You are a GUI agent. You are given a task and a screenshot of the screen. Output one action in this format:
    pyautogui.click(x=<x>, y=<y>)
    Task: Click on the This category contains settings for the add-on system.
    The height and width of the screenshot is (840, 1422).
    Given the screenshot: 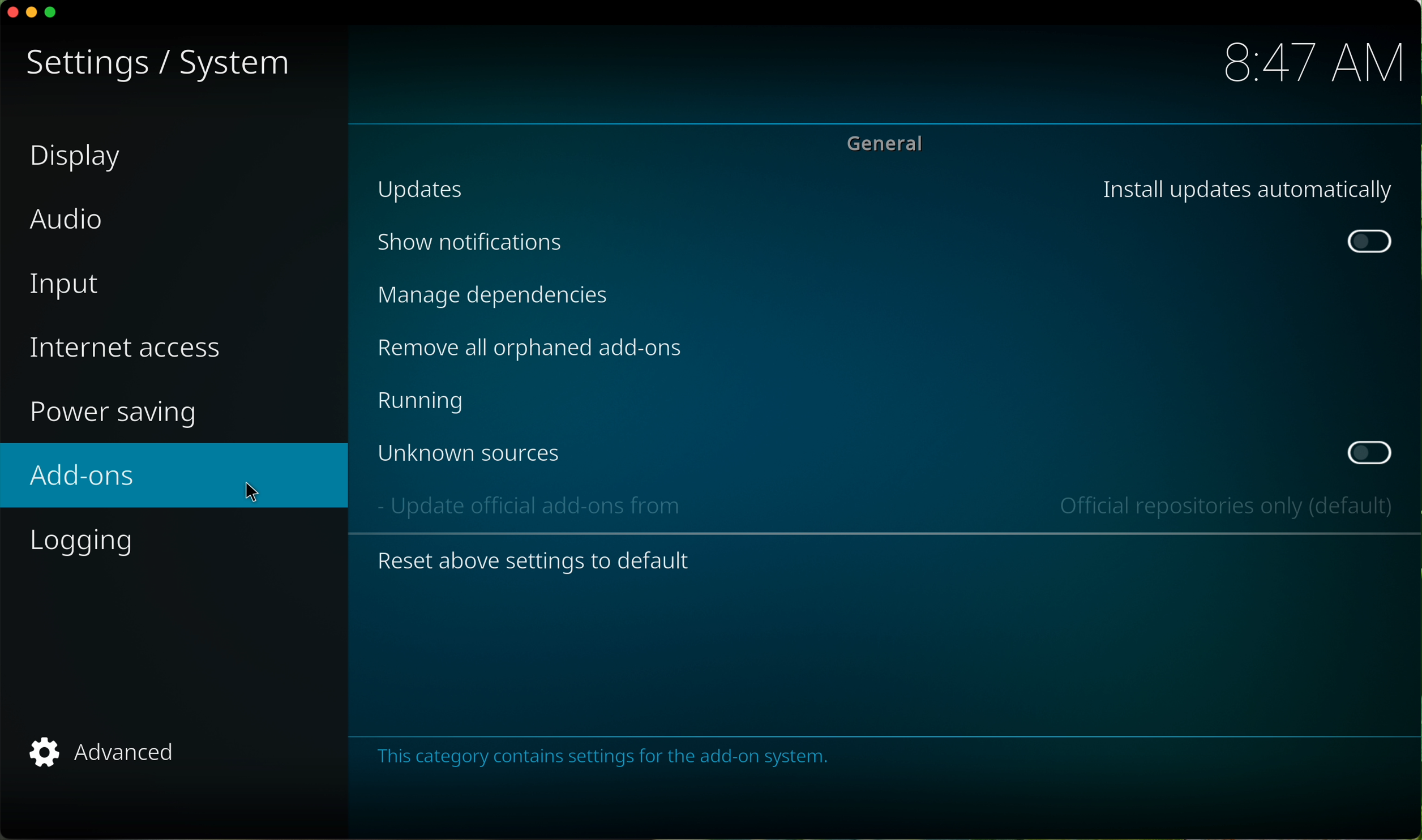 What is the action you would take?
    pyautogui.click(x=612, y=764)
    